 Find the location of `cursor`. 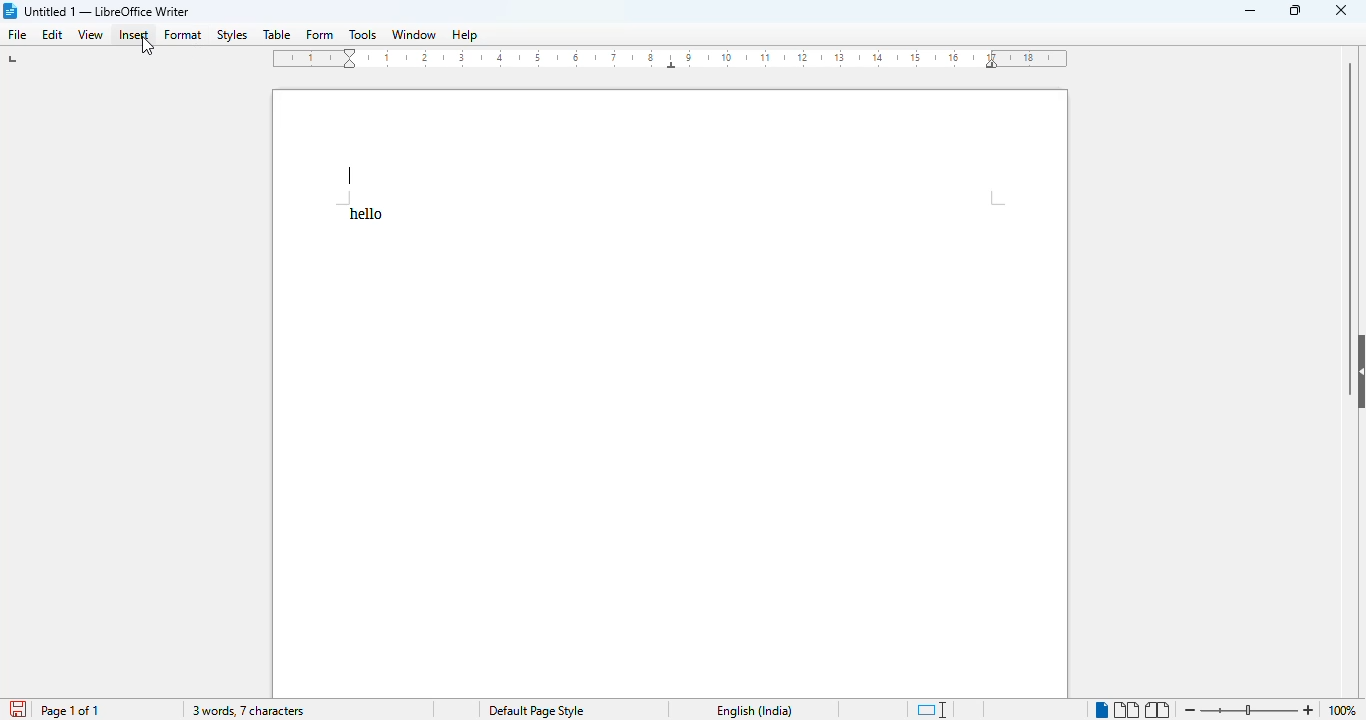

cursor is located at coordinates (147, 48).